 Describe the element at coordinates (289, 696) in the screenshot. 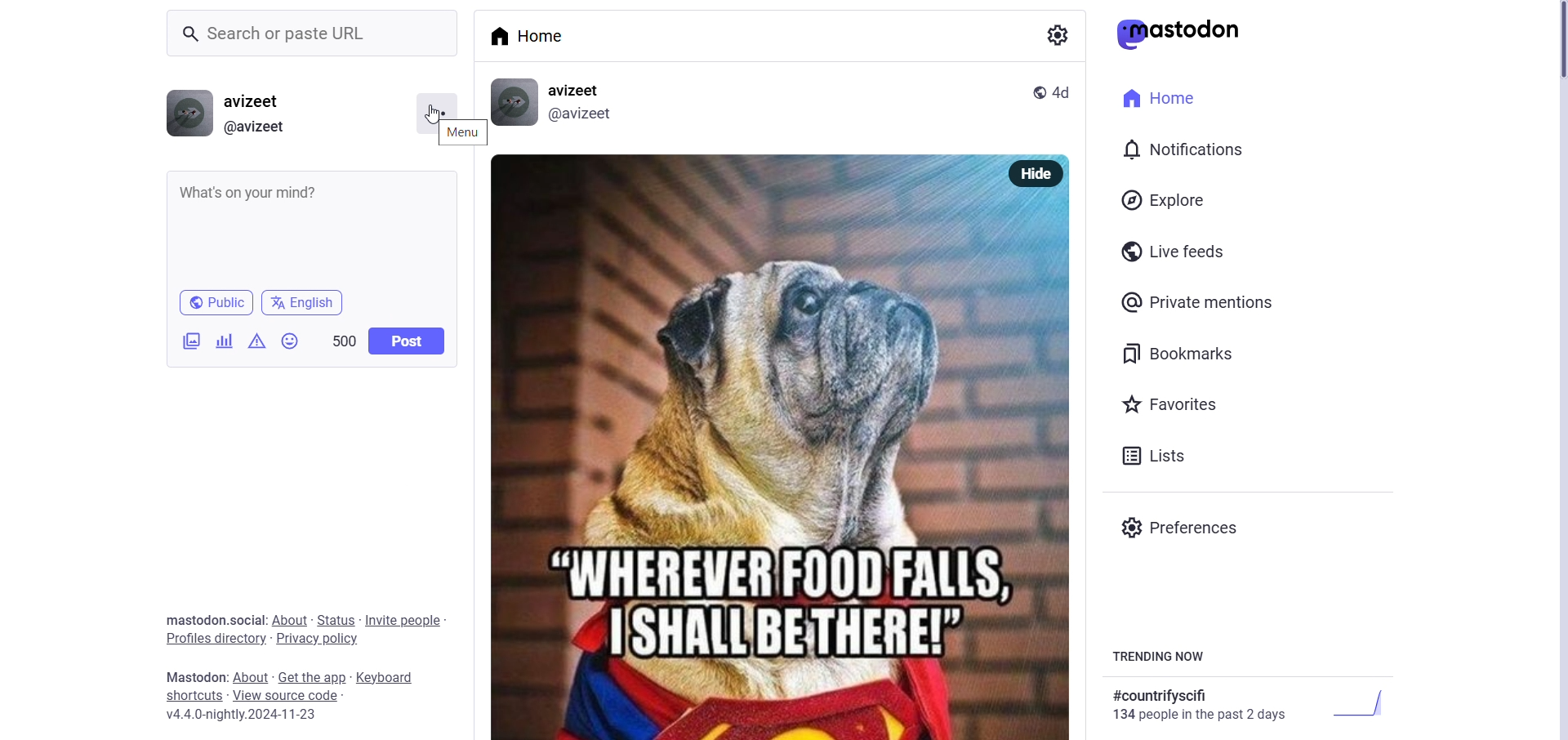

I see `source code` at that location.